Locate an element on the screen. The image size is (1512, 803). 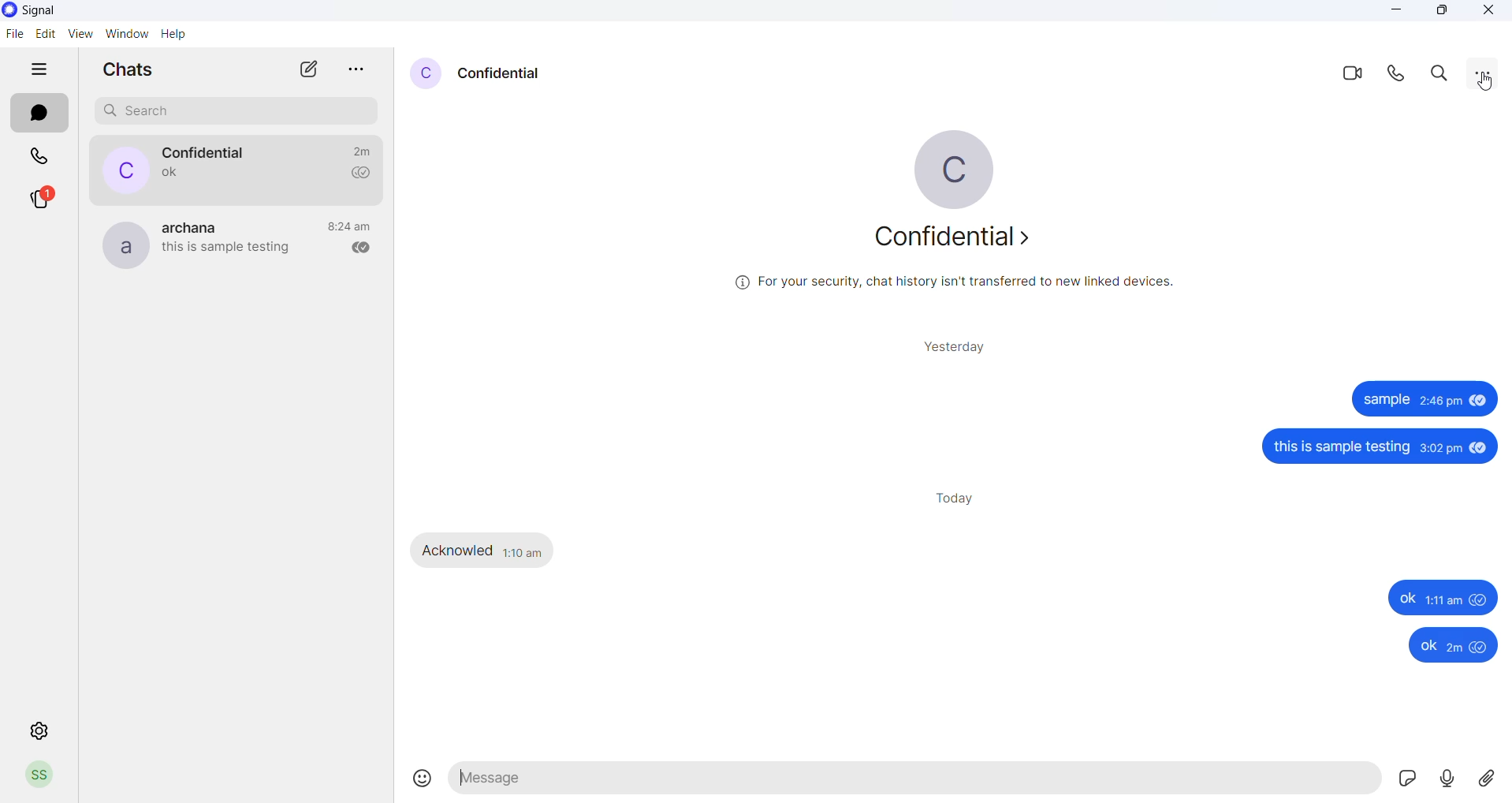
security related information is located at coordinates (969, 285).